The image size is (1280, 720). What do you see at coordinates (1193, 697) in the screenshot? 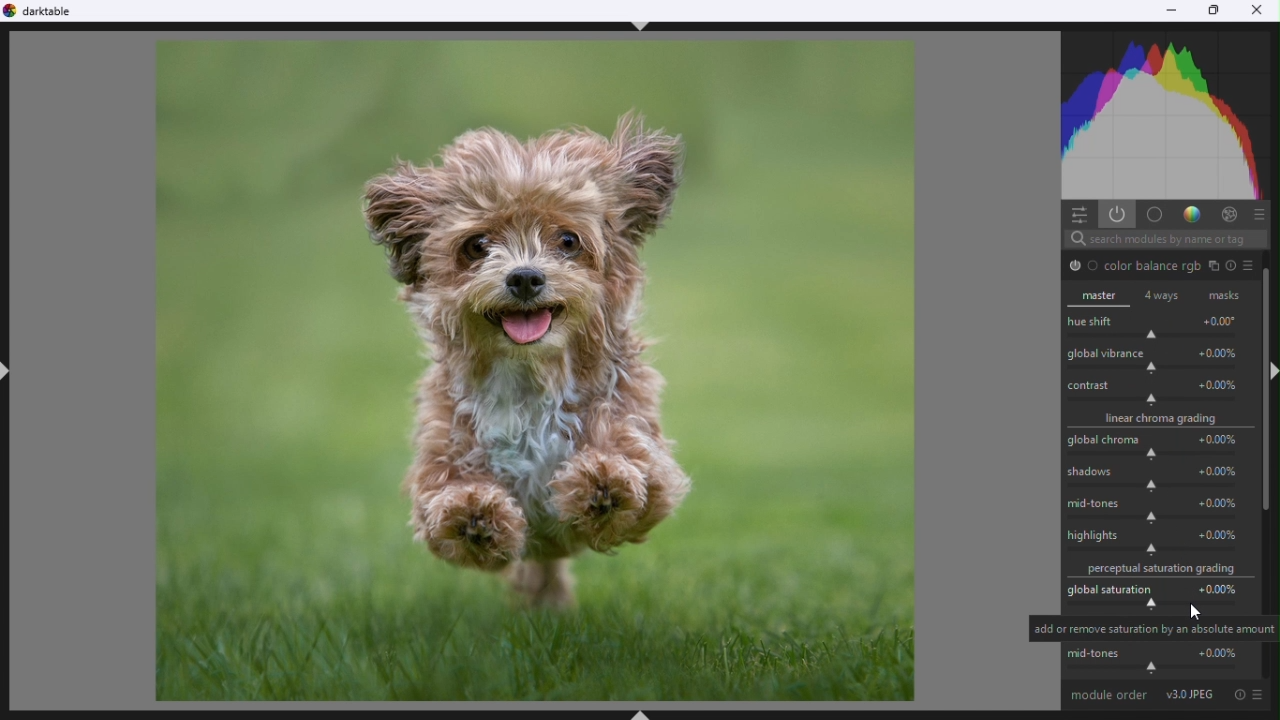
I see `JPEG` at bounding box center [1193, 697].